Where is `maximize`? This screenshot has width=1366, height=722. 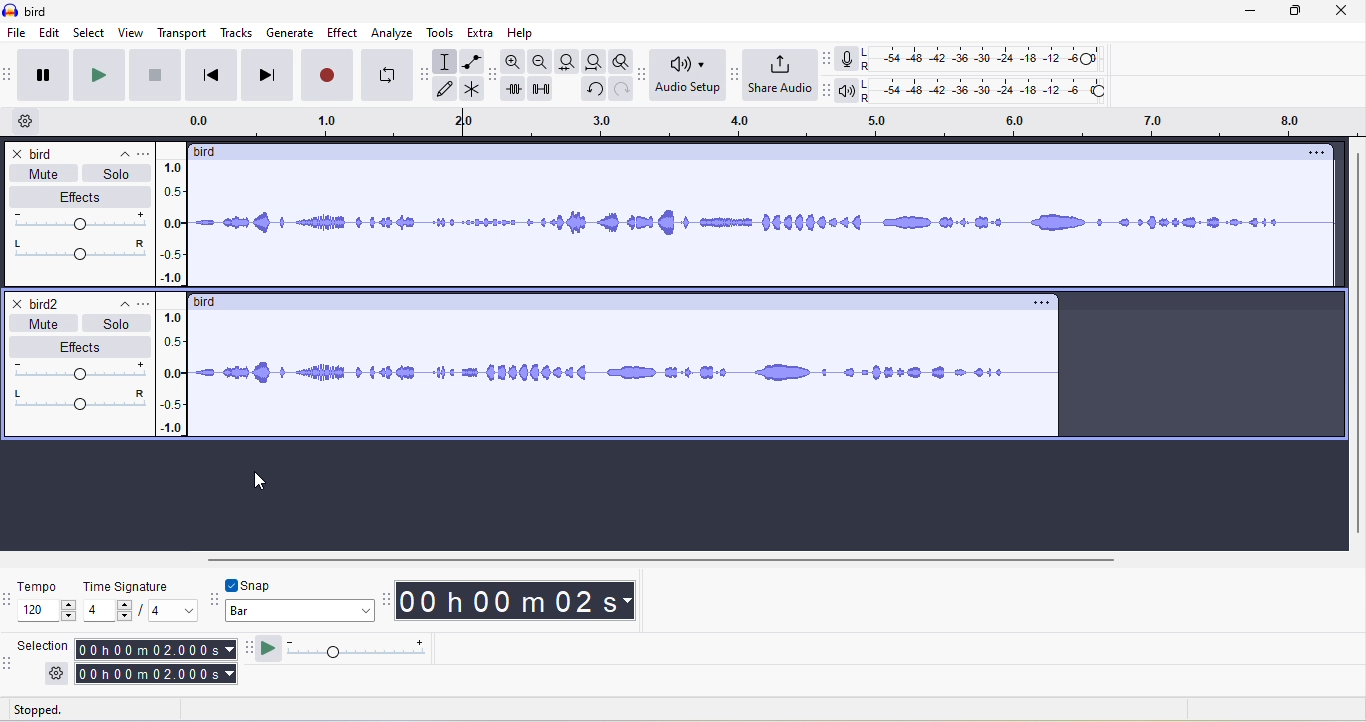 maximize is located at coordinates (1293, 13).